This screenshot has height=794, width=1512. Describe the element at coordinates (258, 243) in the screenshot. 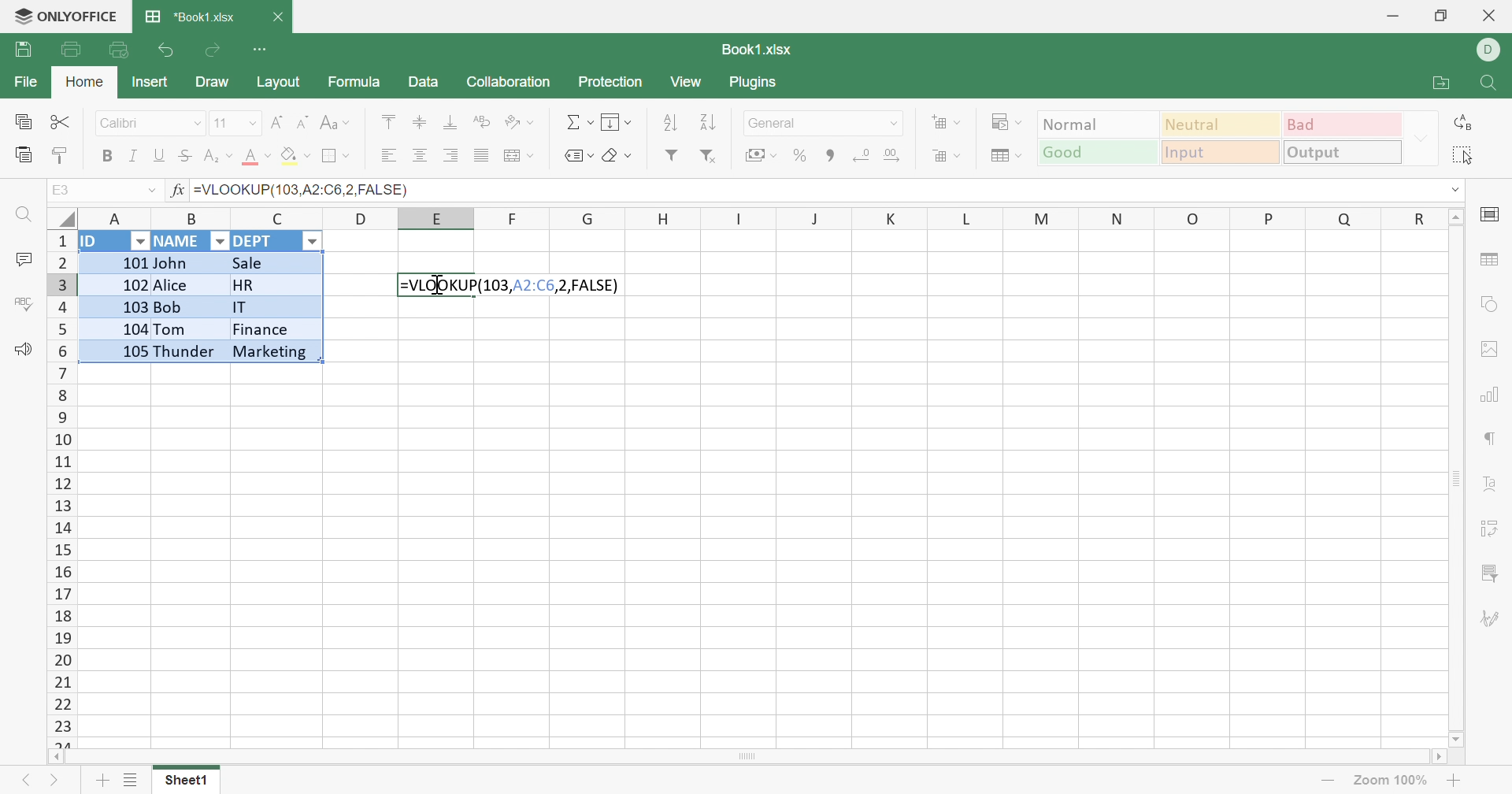

I see `DEPT` at that location.